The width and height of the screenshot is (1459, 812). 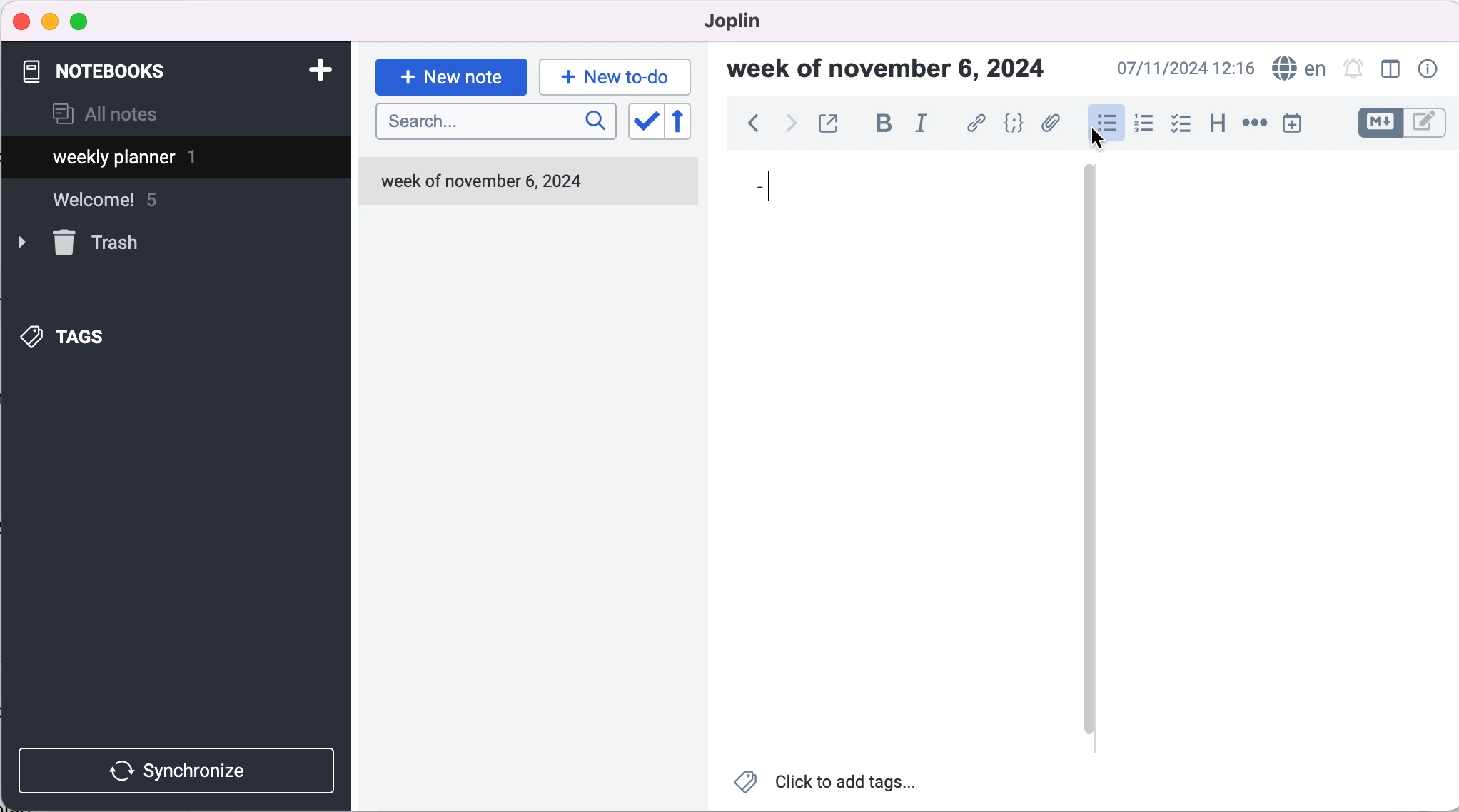 I want to click on heading, so click(x=1216, y=121).